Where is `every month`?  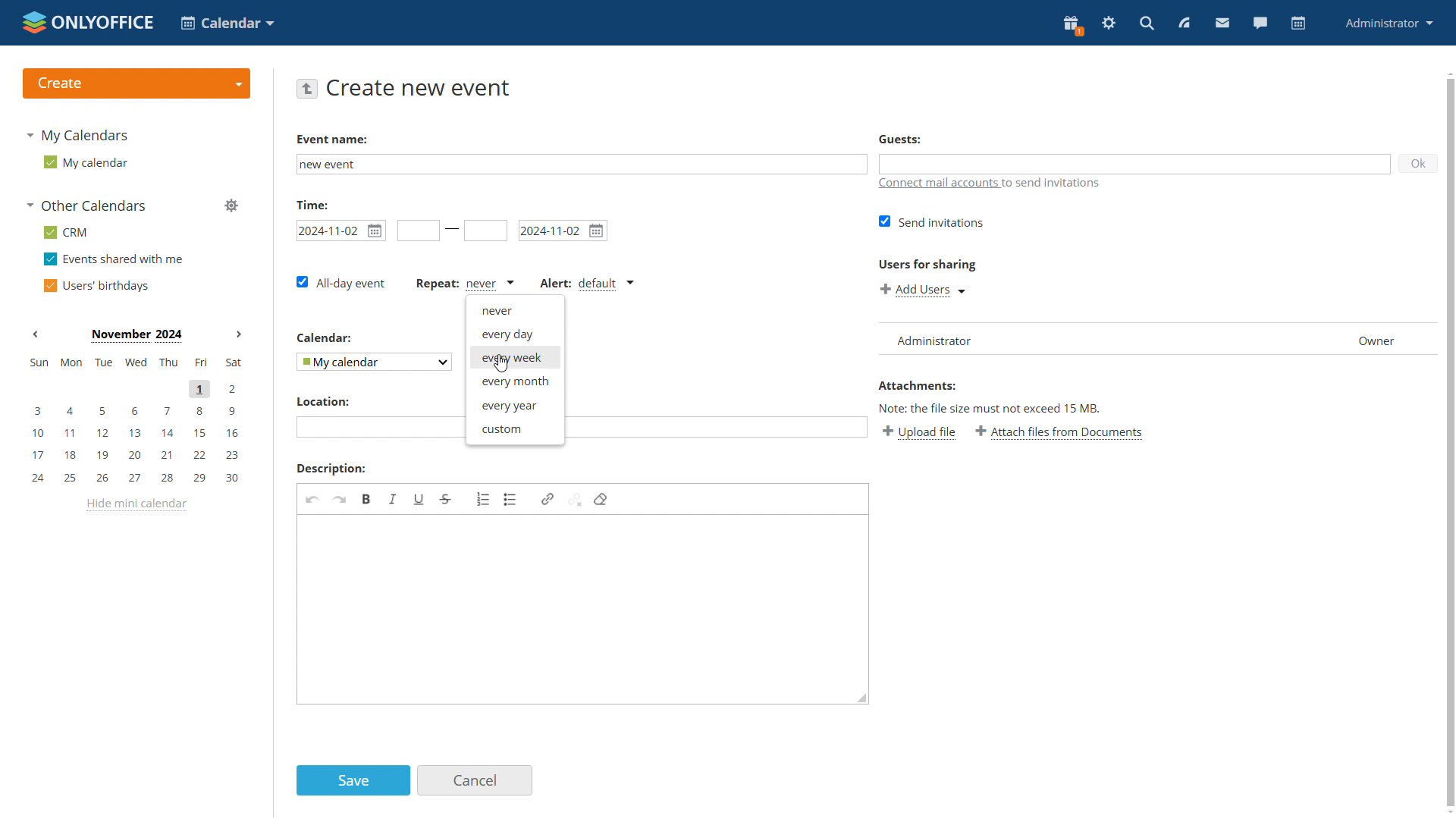 every month is located at coordinates (515, 382).